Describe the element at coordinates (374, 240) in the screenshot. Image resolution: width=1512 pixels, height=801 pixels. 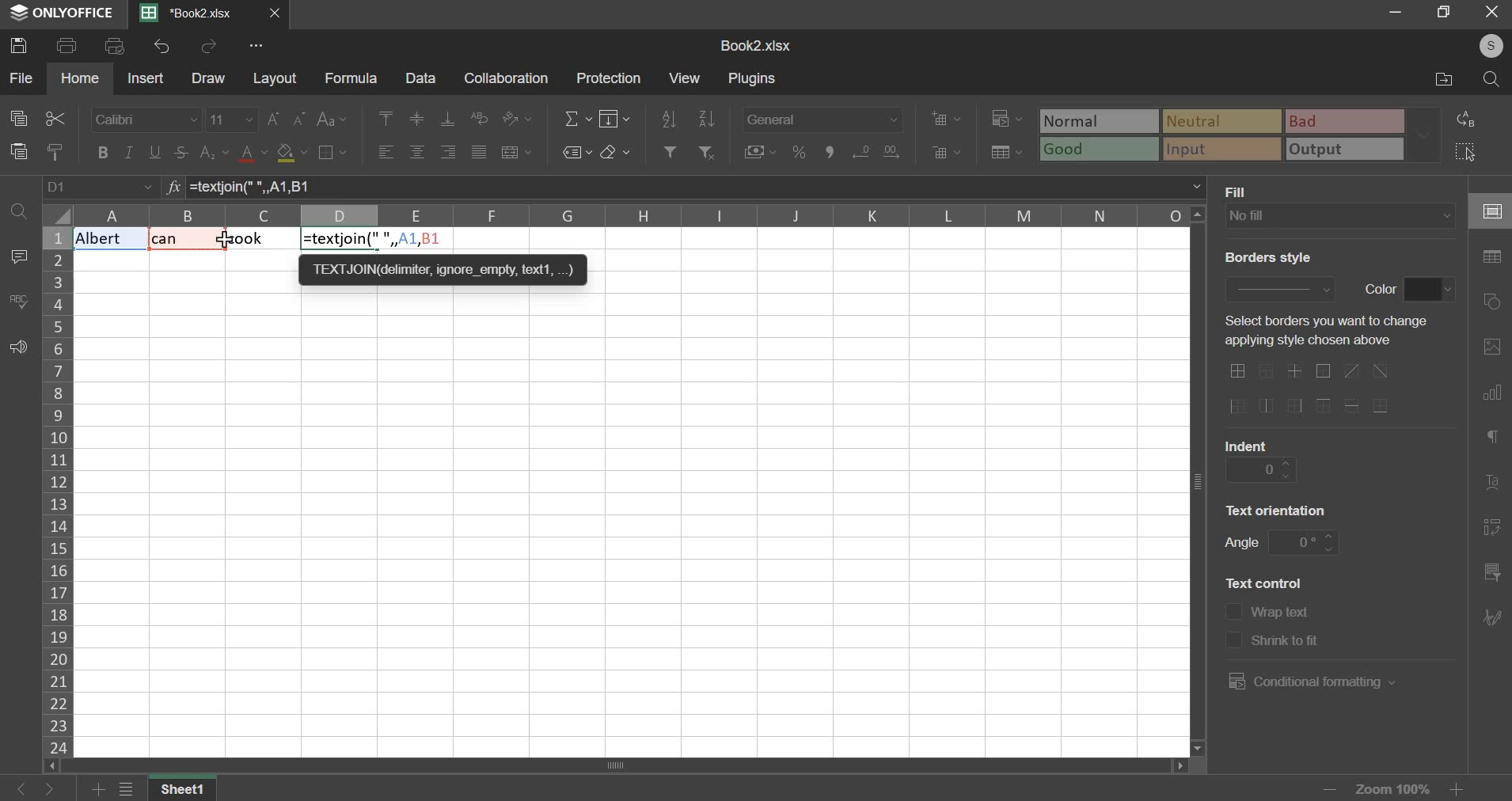
I see `formula` at that location.